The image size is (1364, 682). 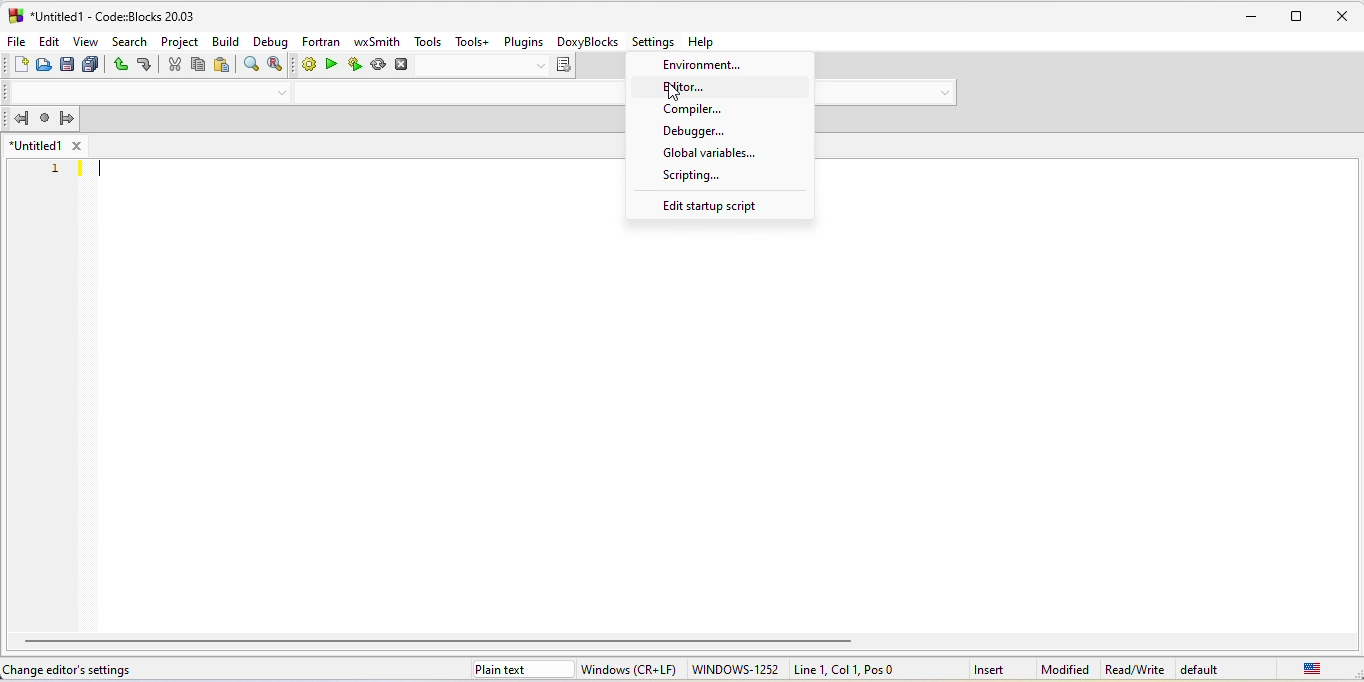 What do you see at coordinates (223, 65) in the screenshot?
I see `paste` at bounding box center [223, 65].